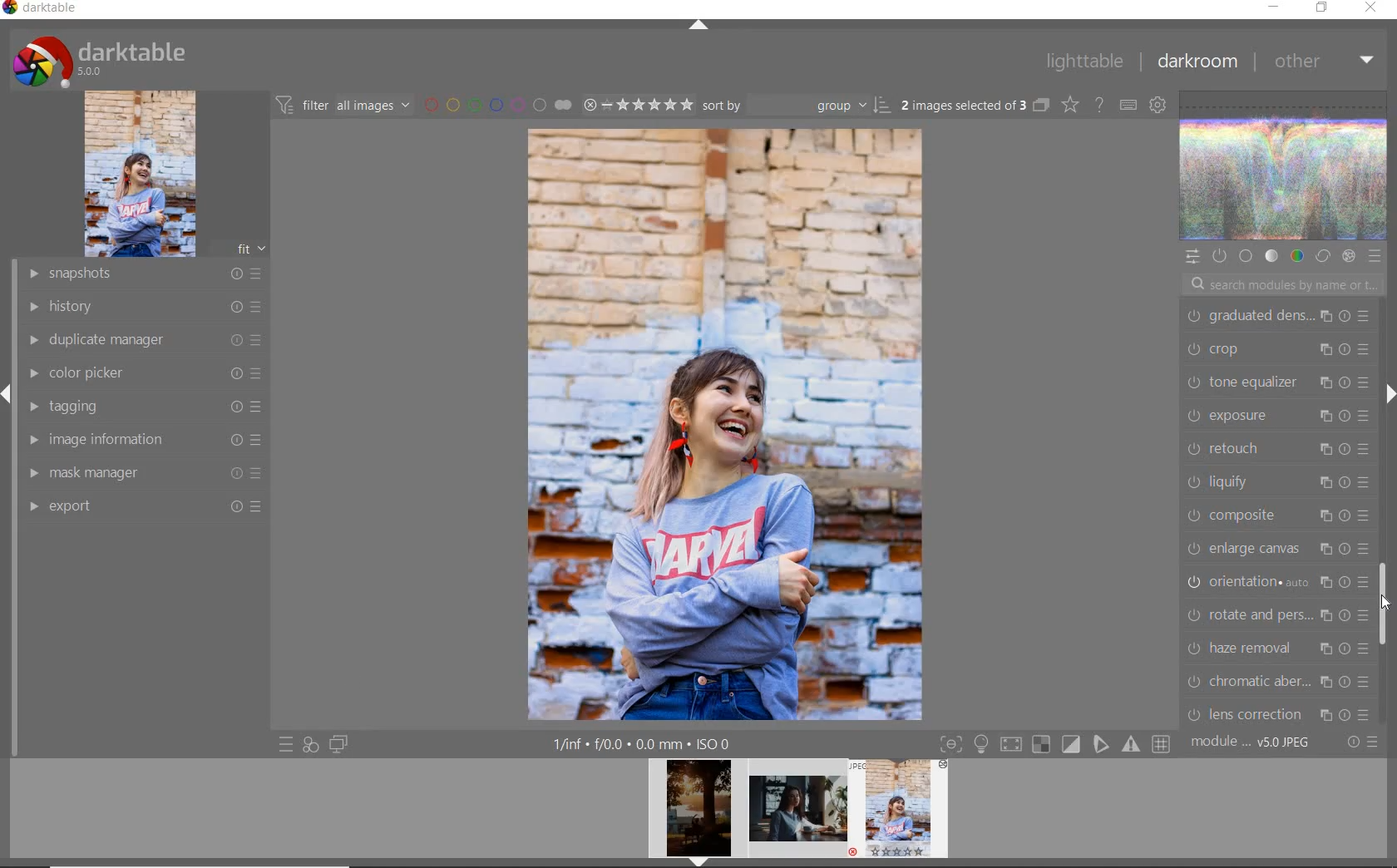 The height and width of the screenshot is (868, 1397). Describe the element at coordinates (644, 744) in the screenshot. I see `other interface detal` at that location.